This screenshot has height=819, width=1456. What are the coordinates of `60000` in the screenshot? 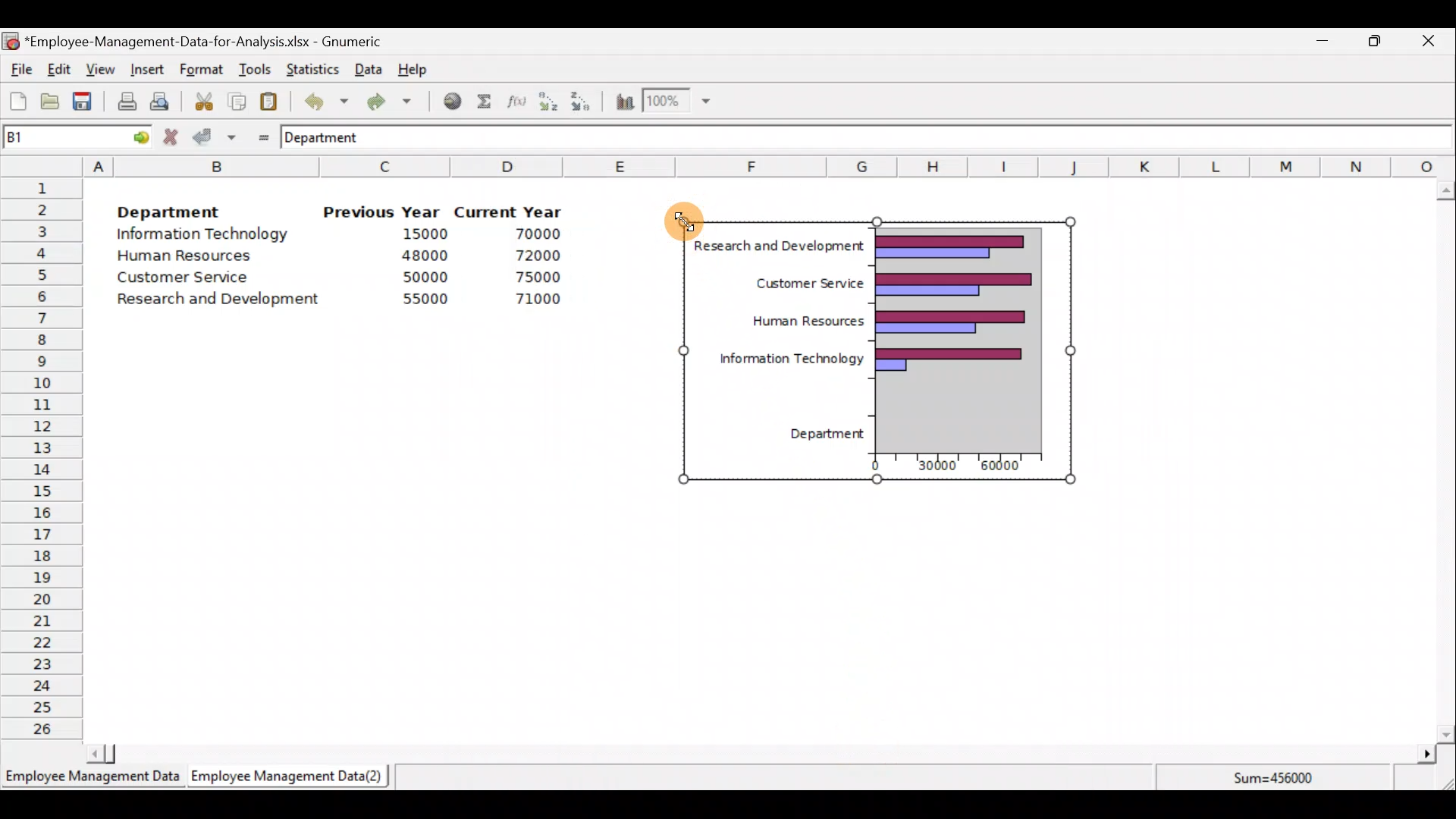 It's located at (1001, 467).